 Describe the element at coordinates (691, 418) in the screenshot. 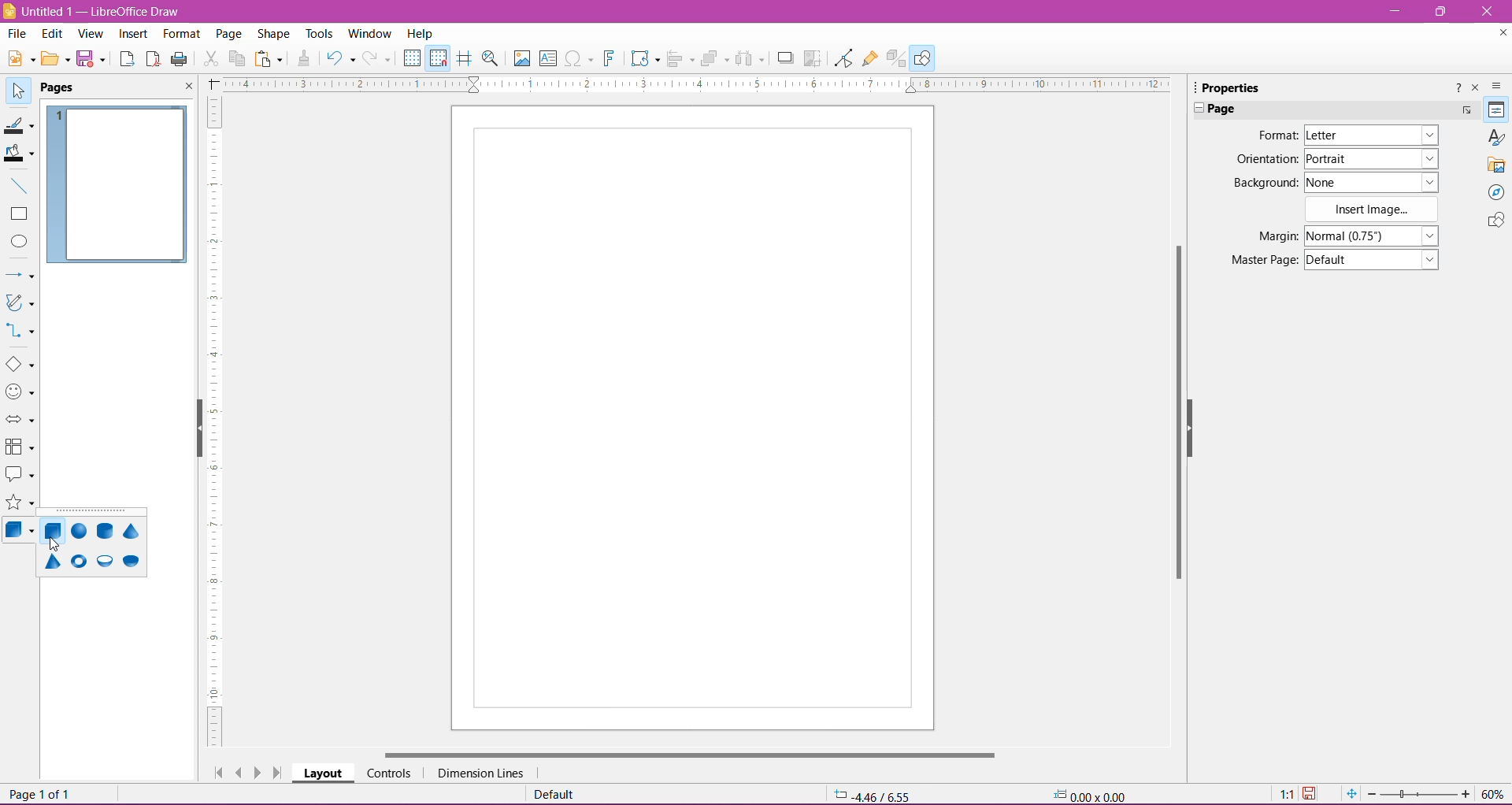

I see `Page` at that location.